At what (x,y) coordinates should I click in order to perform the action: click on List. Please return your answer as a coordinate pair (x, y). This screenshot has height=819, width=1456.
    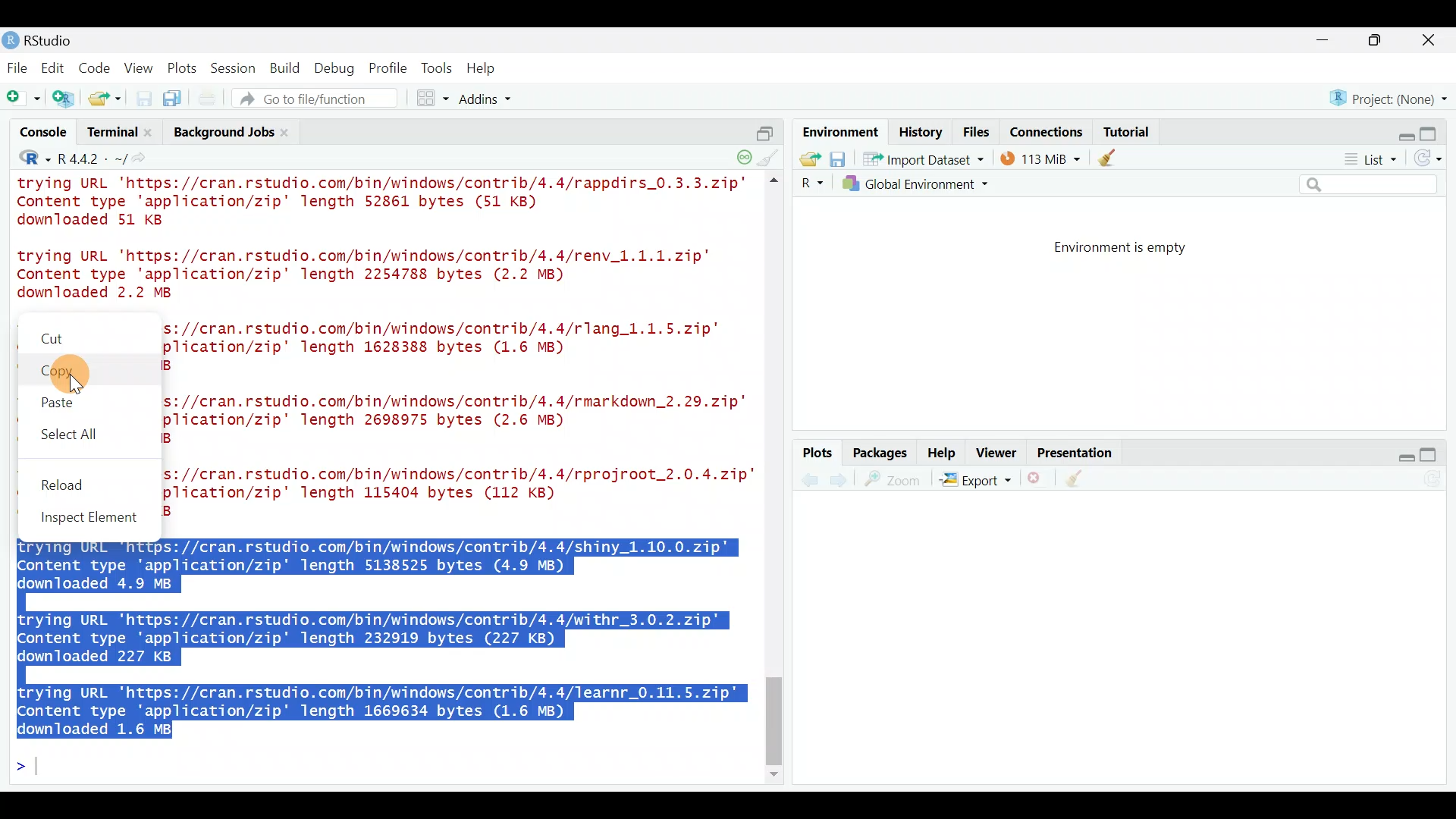
    Looking at the image, I should click on (1369, 160).